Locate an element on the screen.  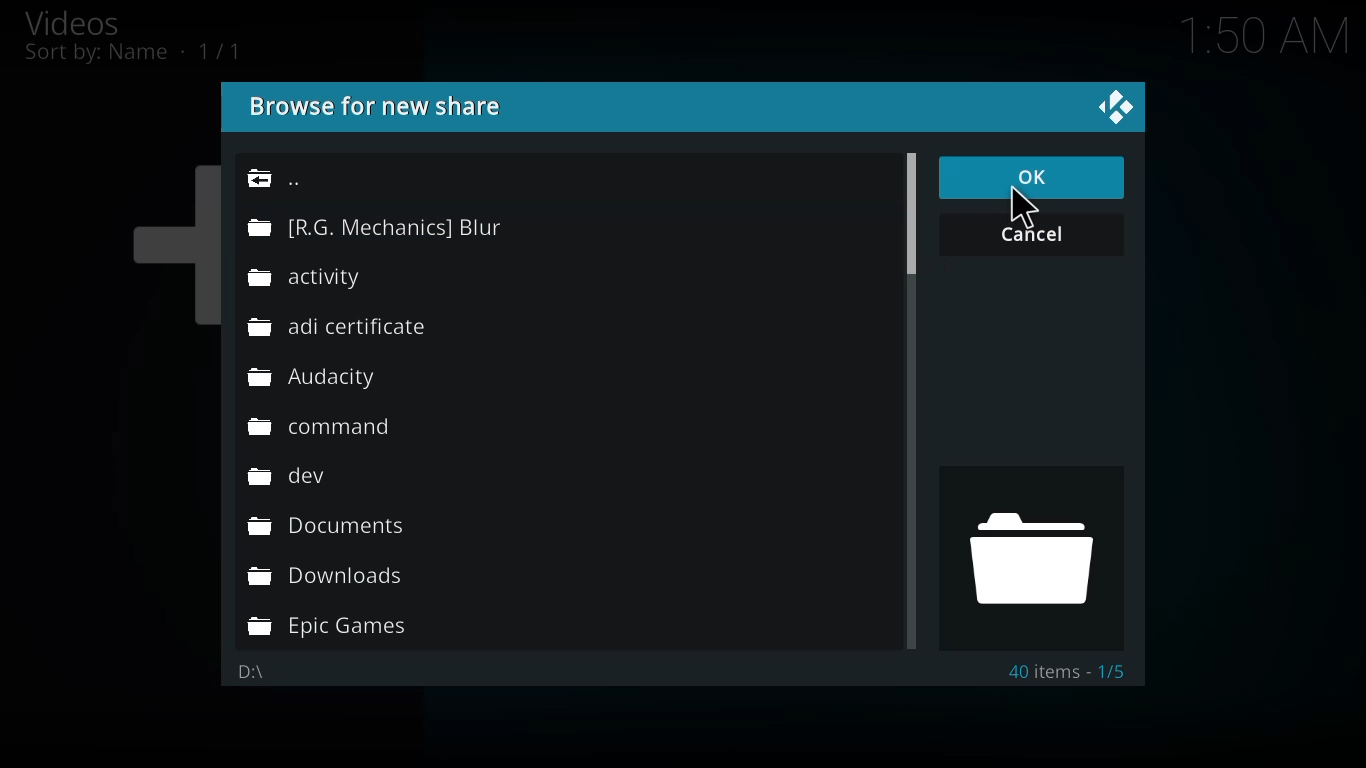
drive is located at coordinates (1028, 555).